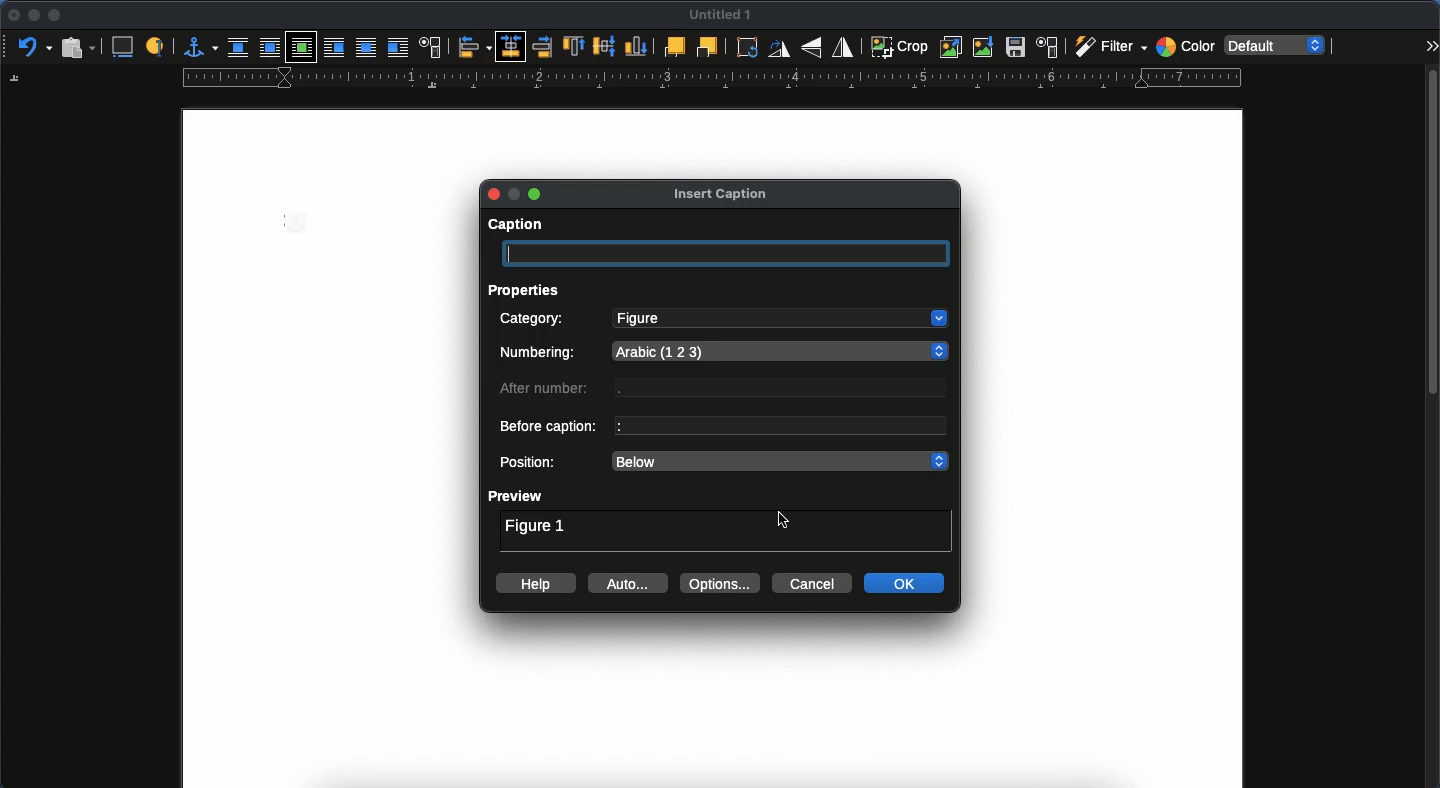 This screenshot has width=1440, height=788. I want to click on minimize, so click(518, 194).